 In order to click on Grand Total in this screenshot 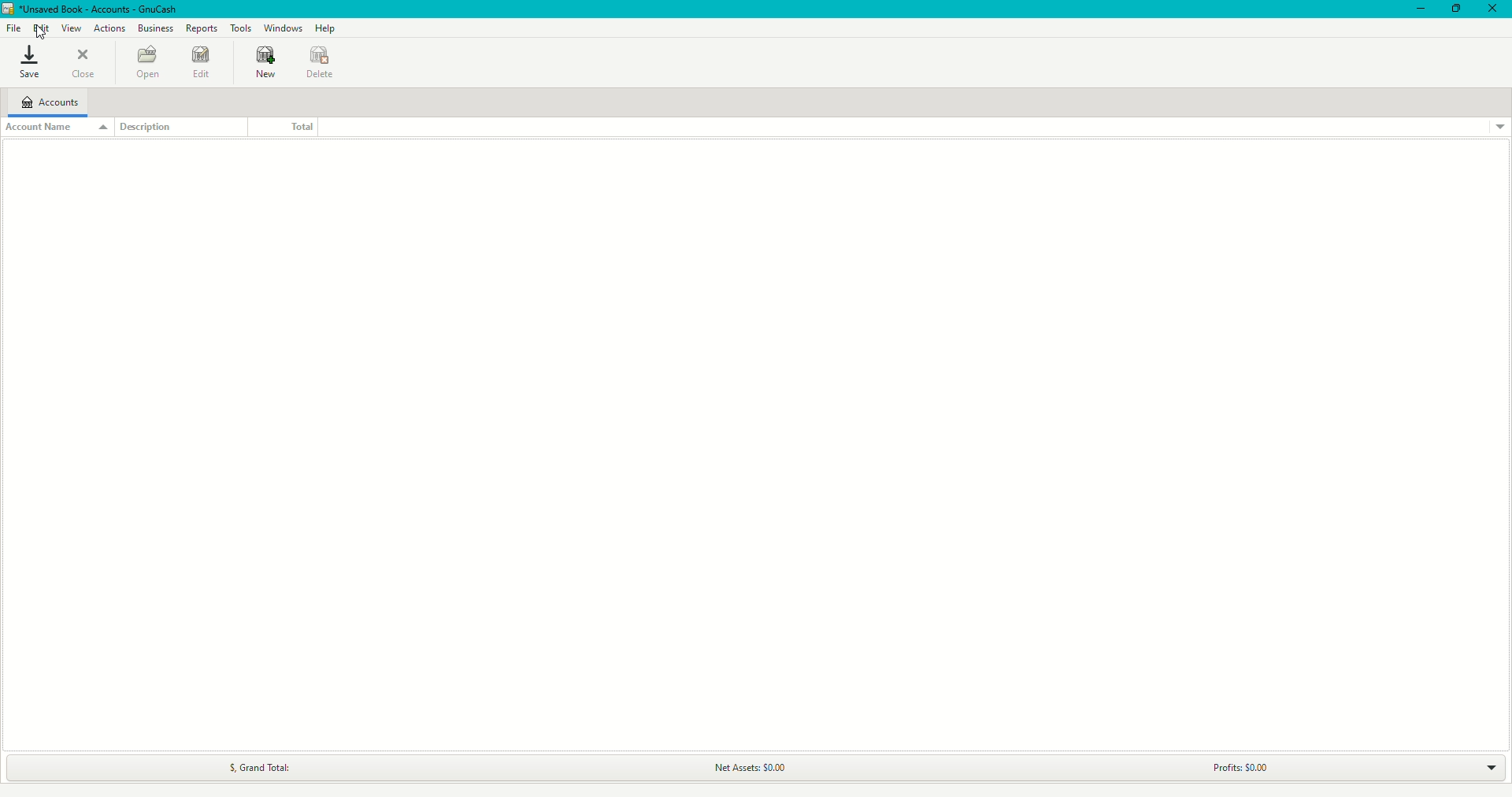, I will do `click(253, 768)`.